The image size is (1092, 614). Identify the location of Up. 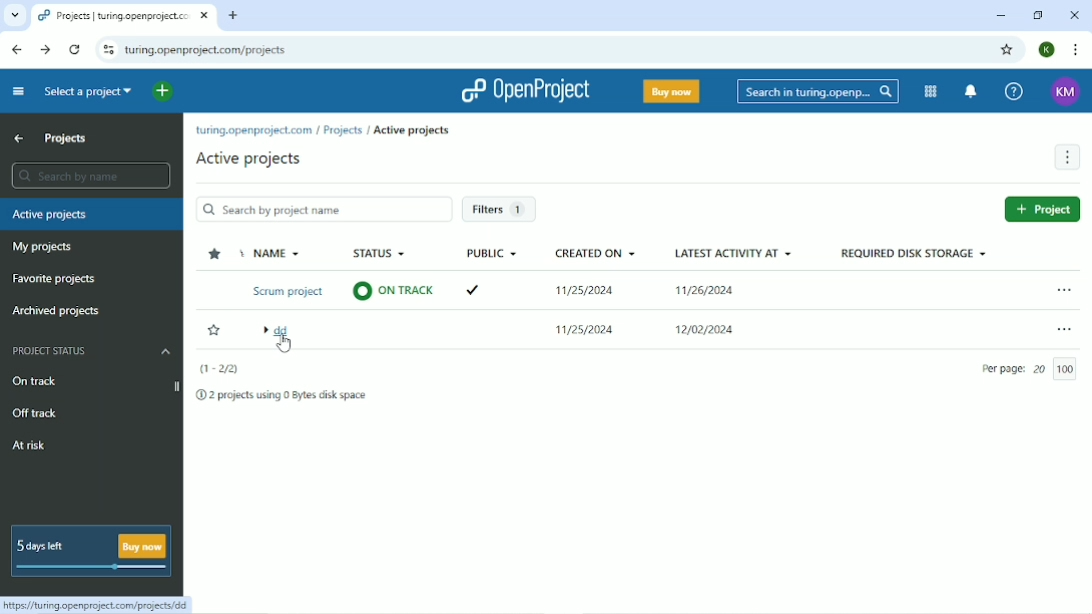
(18, 140).